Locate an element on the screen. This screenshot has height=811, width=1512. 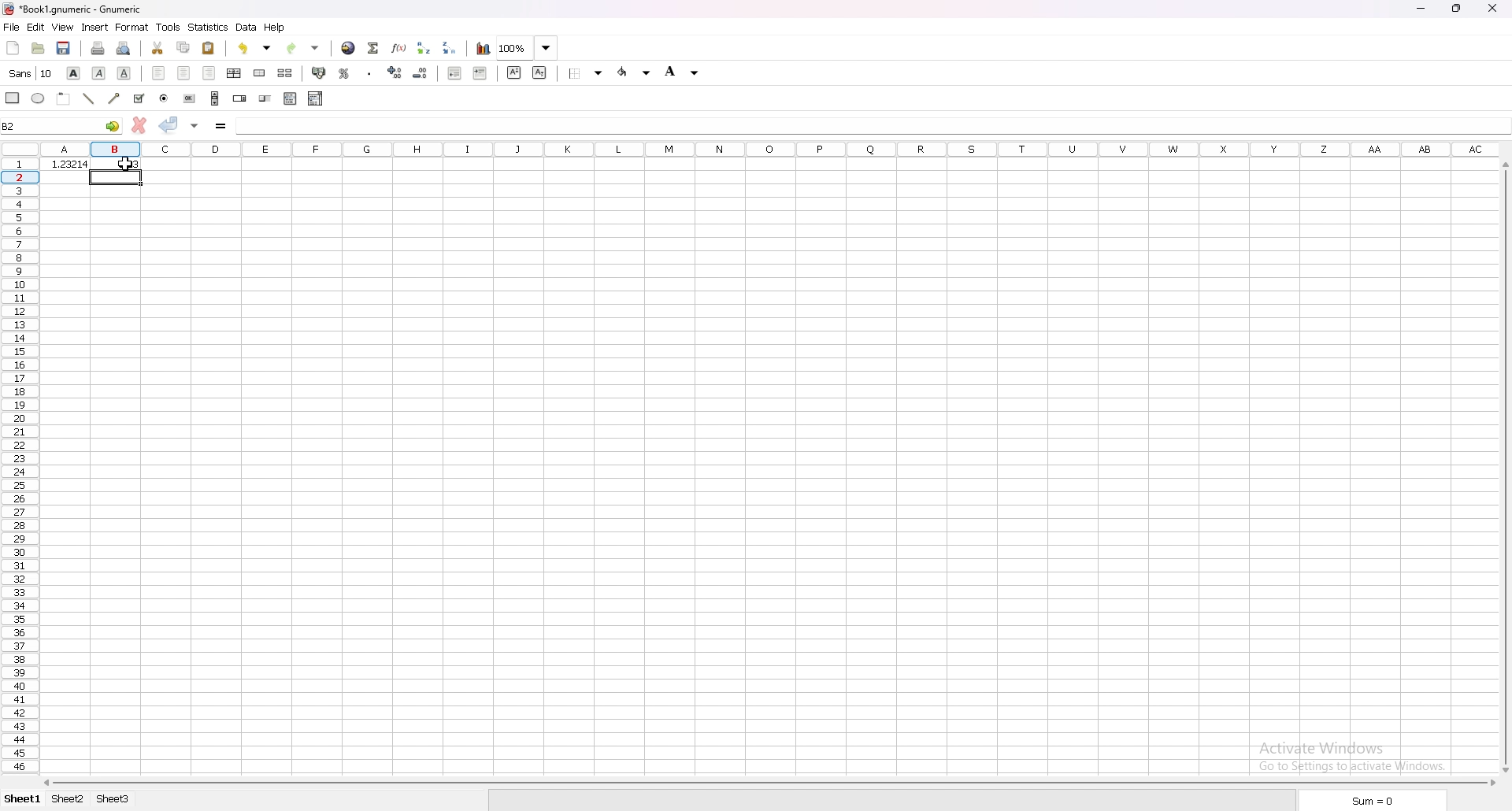
accept changes is located at coordinates (169, 125).